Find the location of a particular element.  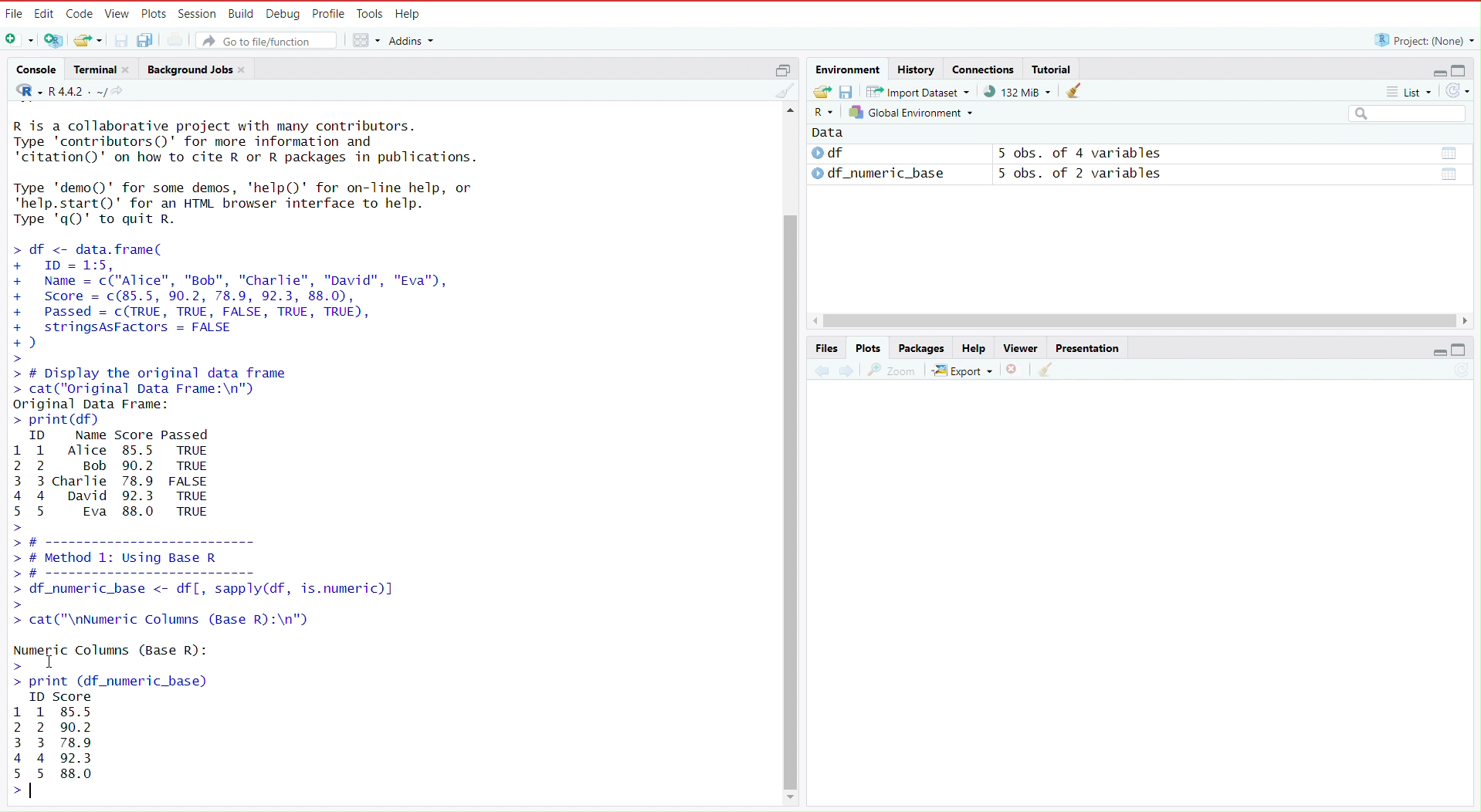

Packages is located at coordinates (920, 347).